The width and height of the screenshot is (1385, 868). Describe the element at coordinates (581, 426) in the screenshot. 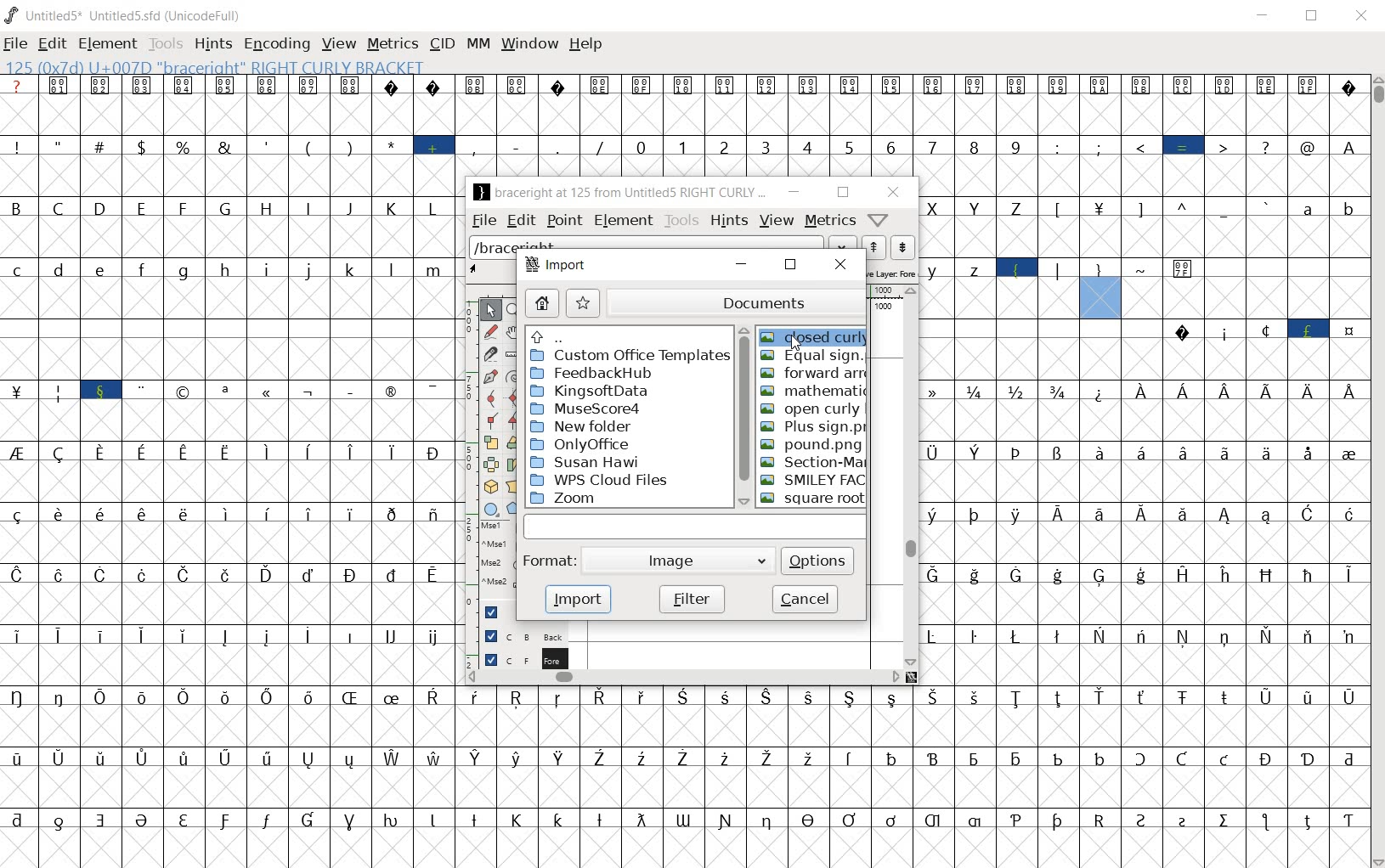

I see `New Folder` at that location.